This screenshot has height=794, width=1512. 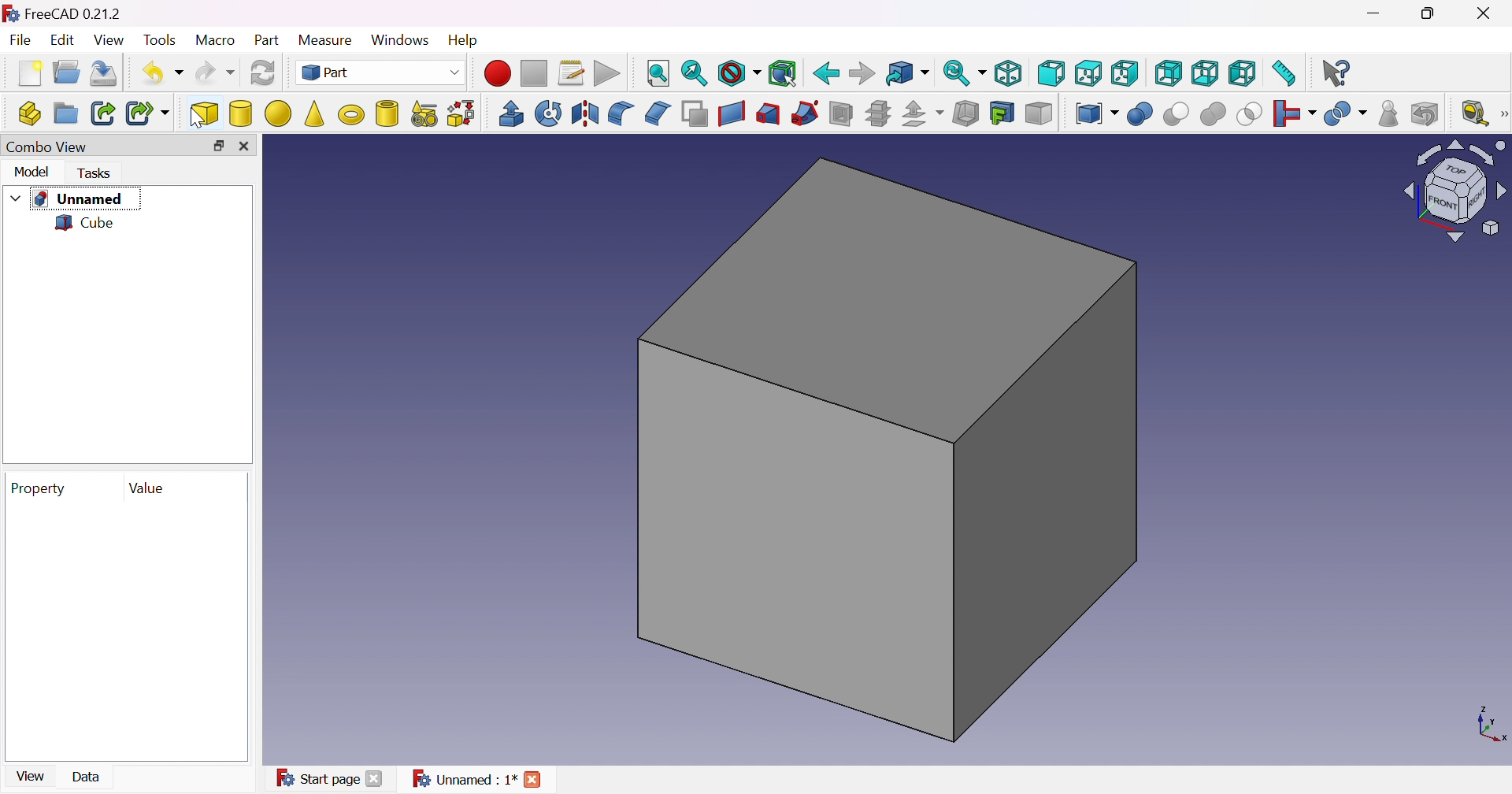 I want to click on Sphere, so click(x=278, y=113).